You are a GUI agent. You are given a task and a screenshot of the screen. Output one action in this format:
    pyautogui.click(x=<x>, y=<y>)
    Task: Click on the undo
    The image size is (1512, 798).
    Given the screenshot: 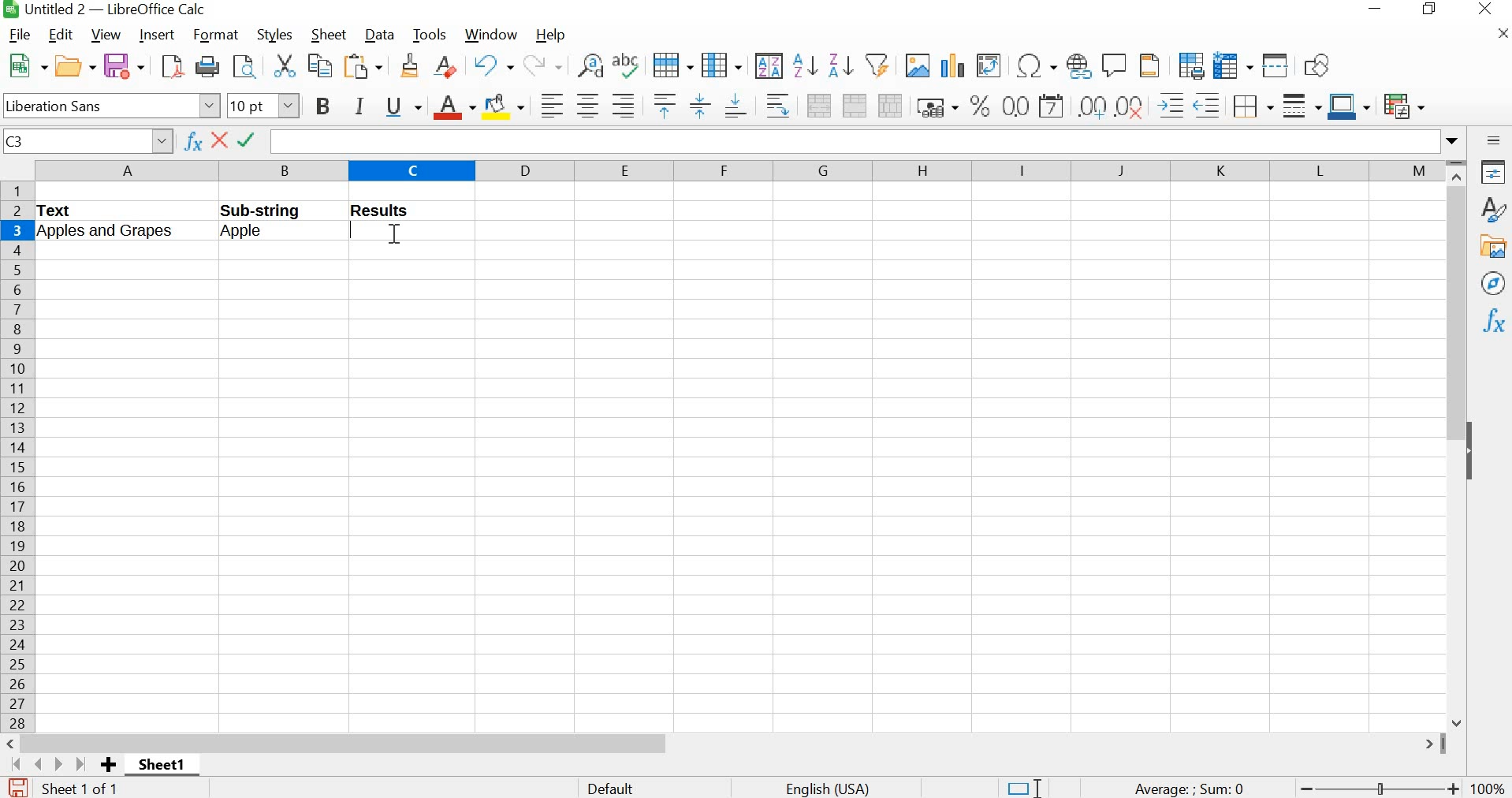 What is the action you would take?
    pyautogui.click(x=492, y=65)
    